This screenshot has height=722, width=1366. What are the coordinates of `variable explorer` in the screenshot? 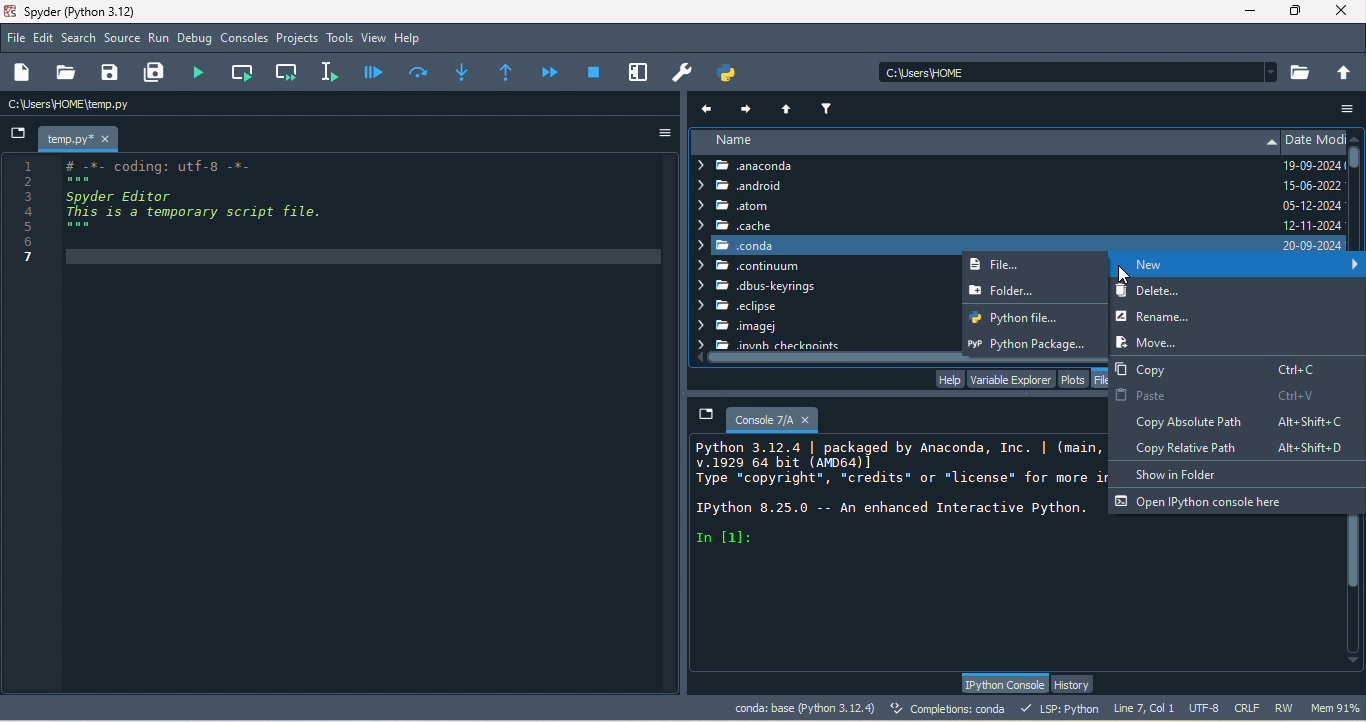 It's located at (1010, 378).